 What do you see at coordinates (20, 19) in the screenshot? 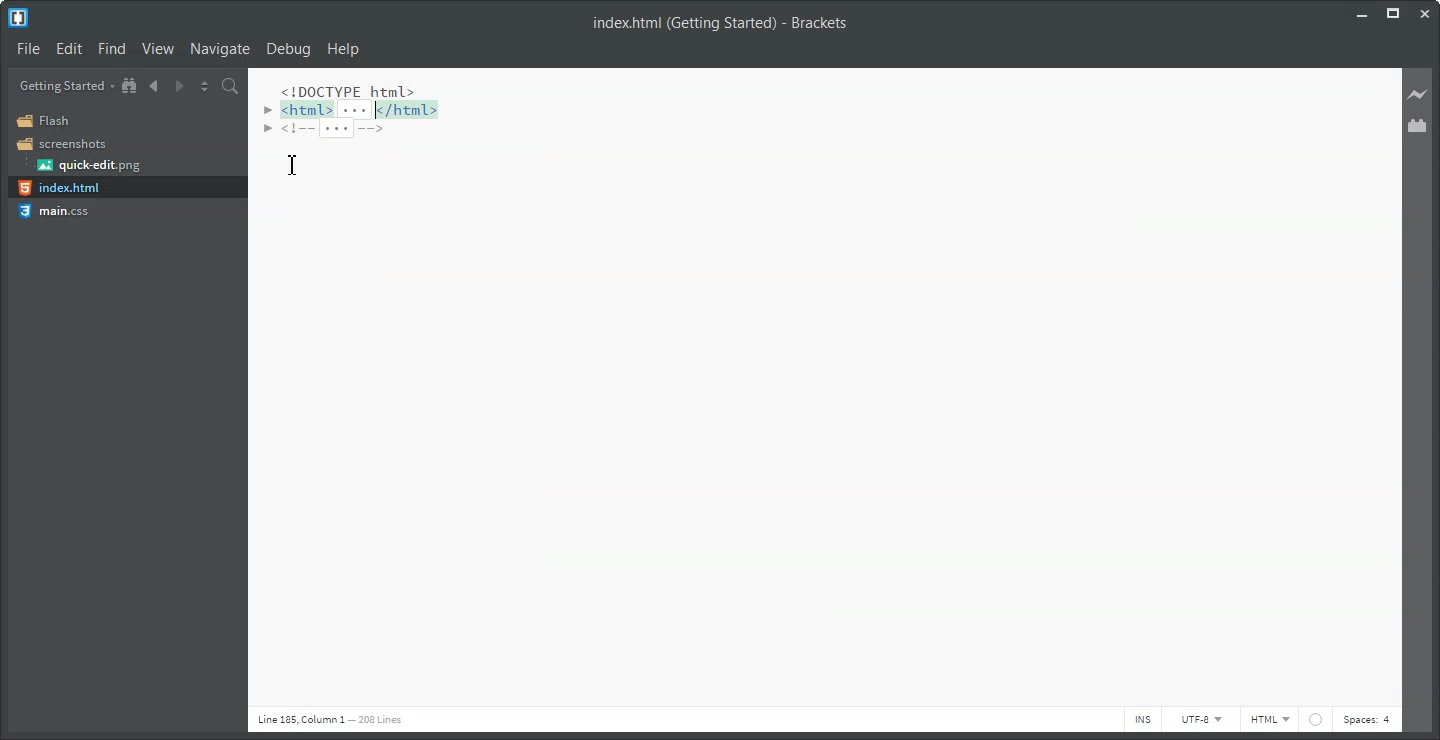
I see `Logo` at bounding box center [20, 19].